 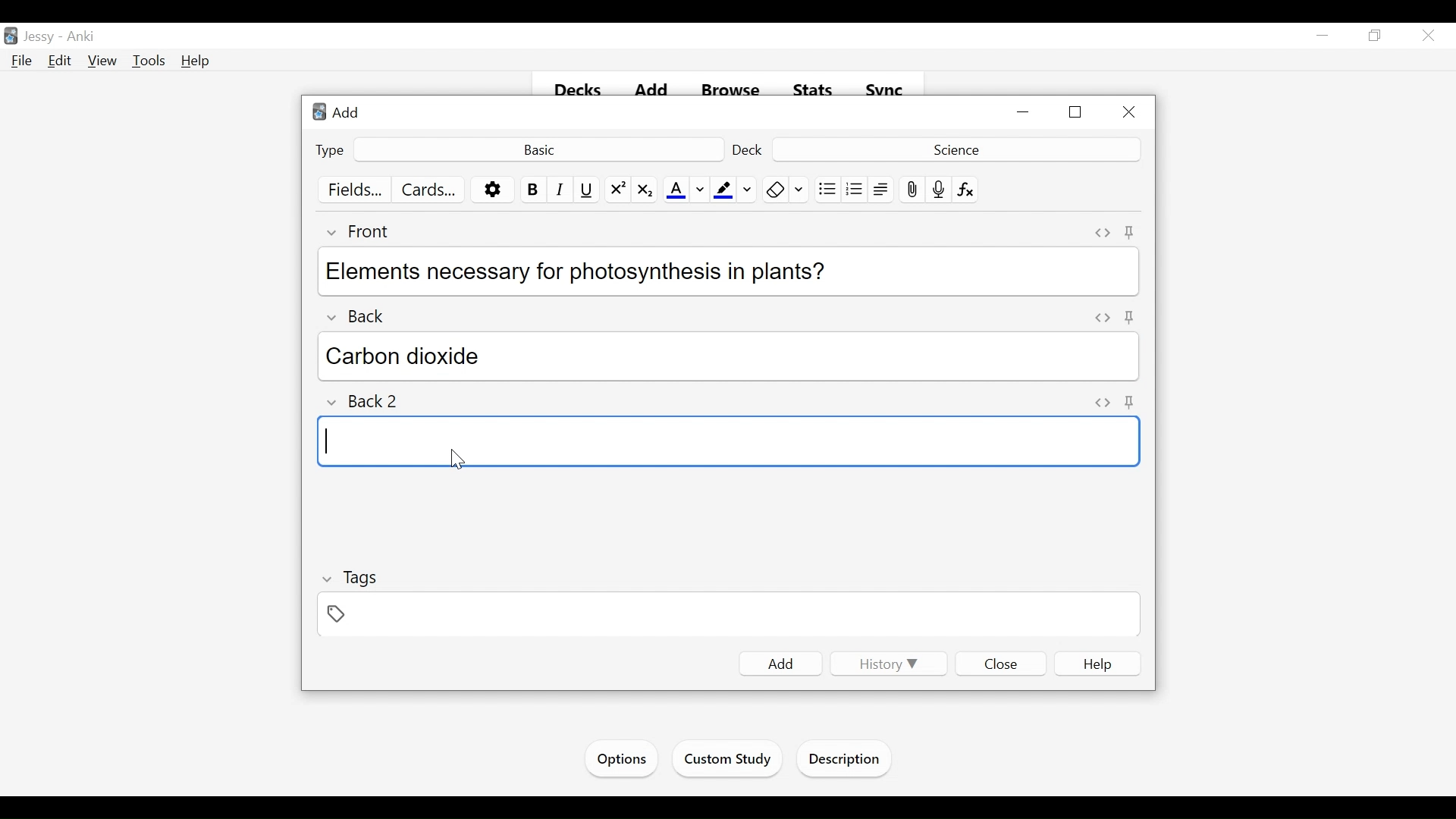 What do you see at coordinates (954, 149) in the screenshot?
I see `Deck` at bounding box center [954, 149].